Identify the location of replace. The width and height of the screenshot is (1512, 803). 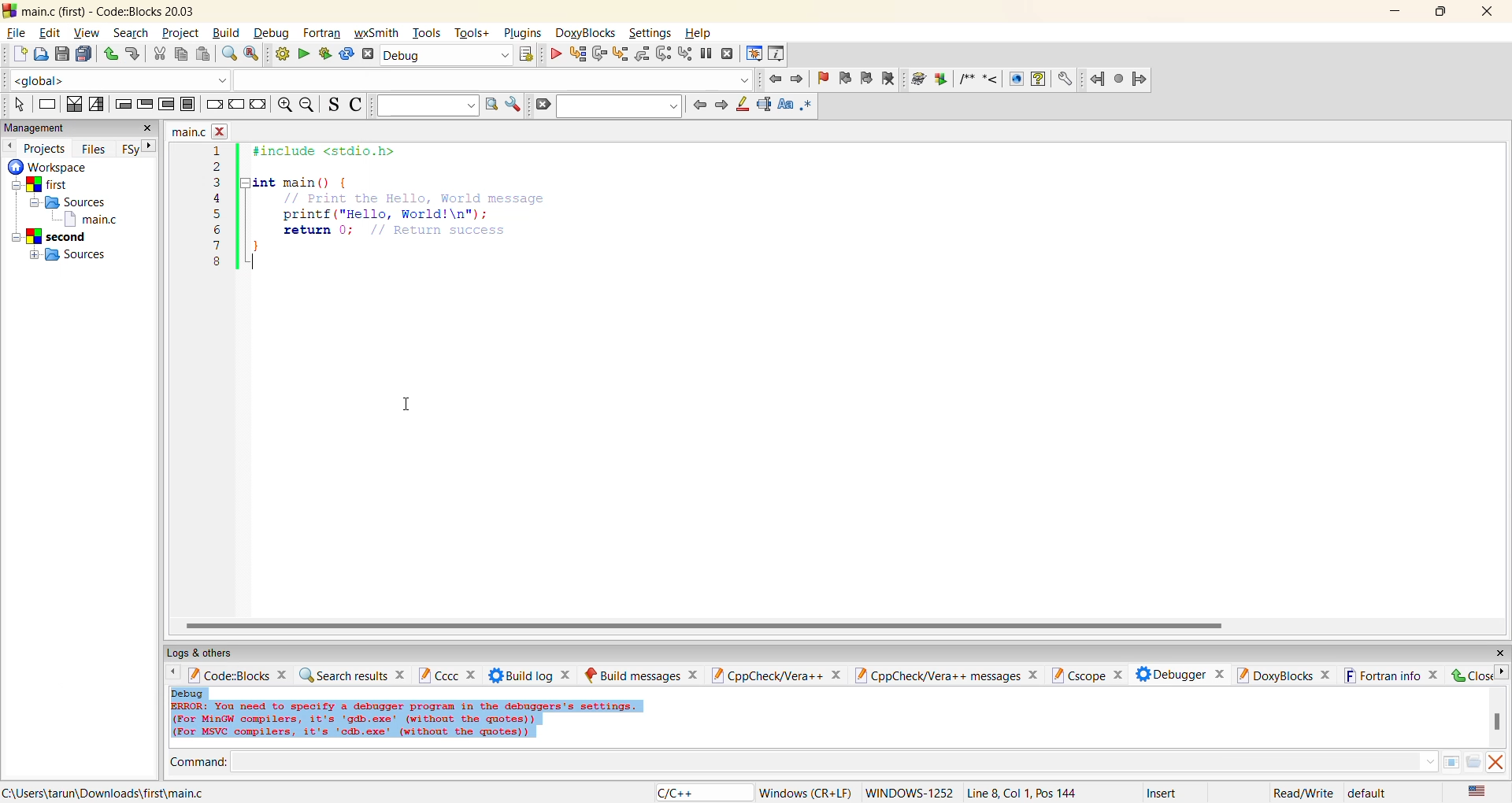
(252, 54).